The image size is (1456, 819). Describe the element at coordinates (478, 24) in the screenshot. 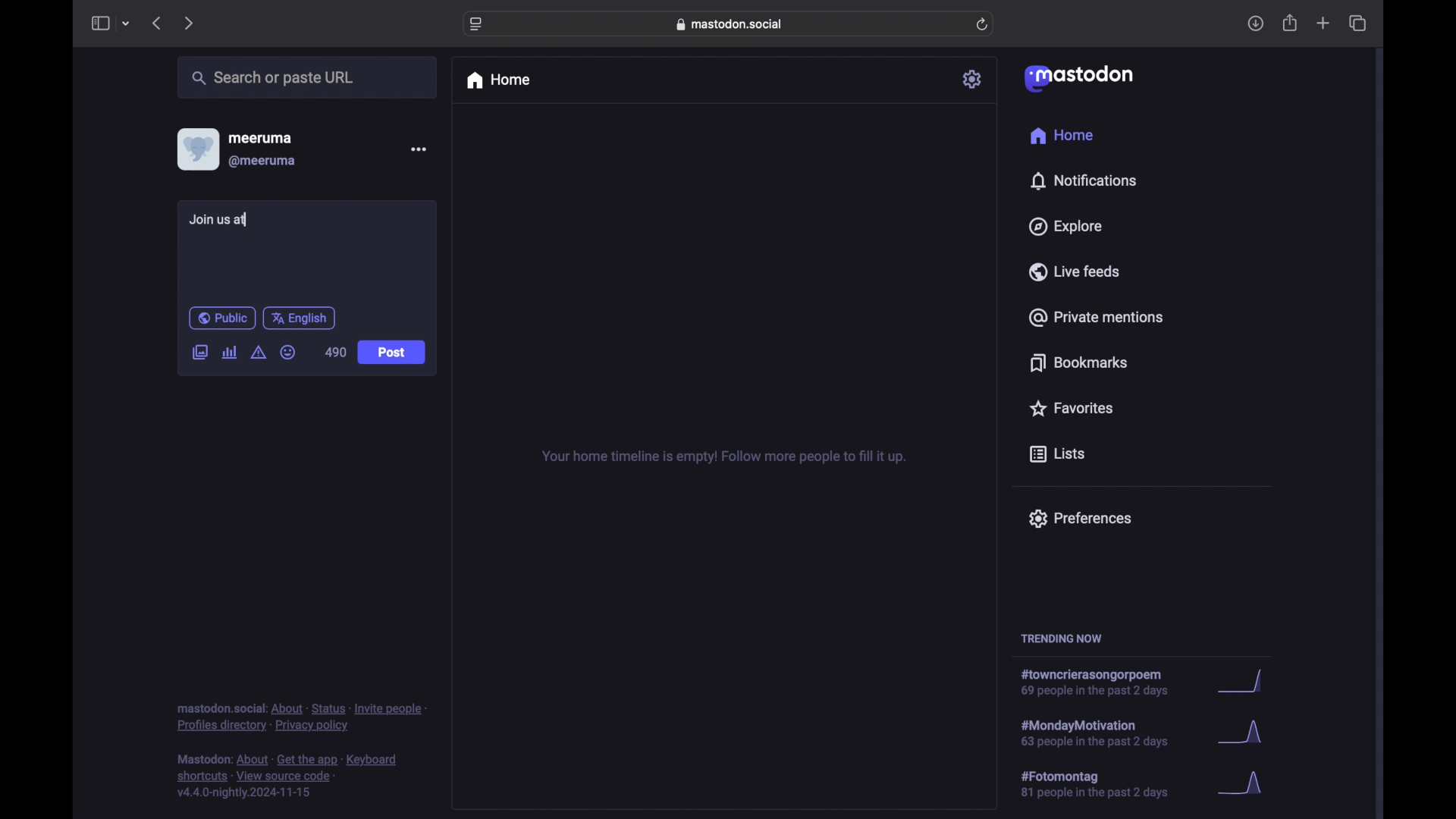

I see `website settings` at that location.